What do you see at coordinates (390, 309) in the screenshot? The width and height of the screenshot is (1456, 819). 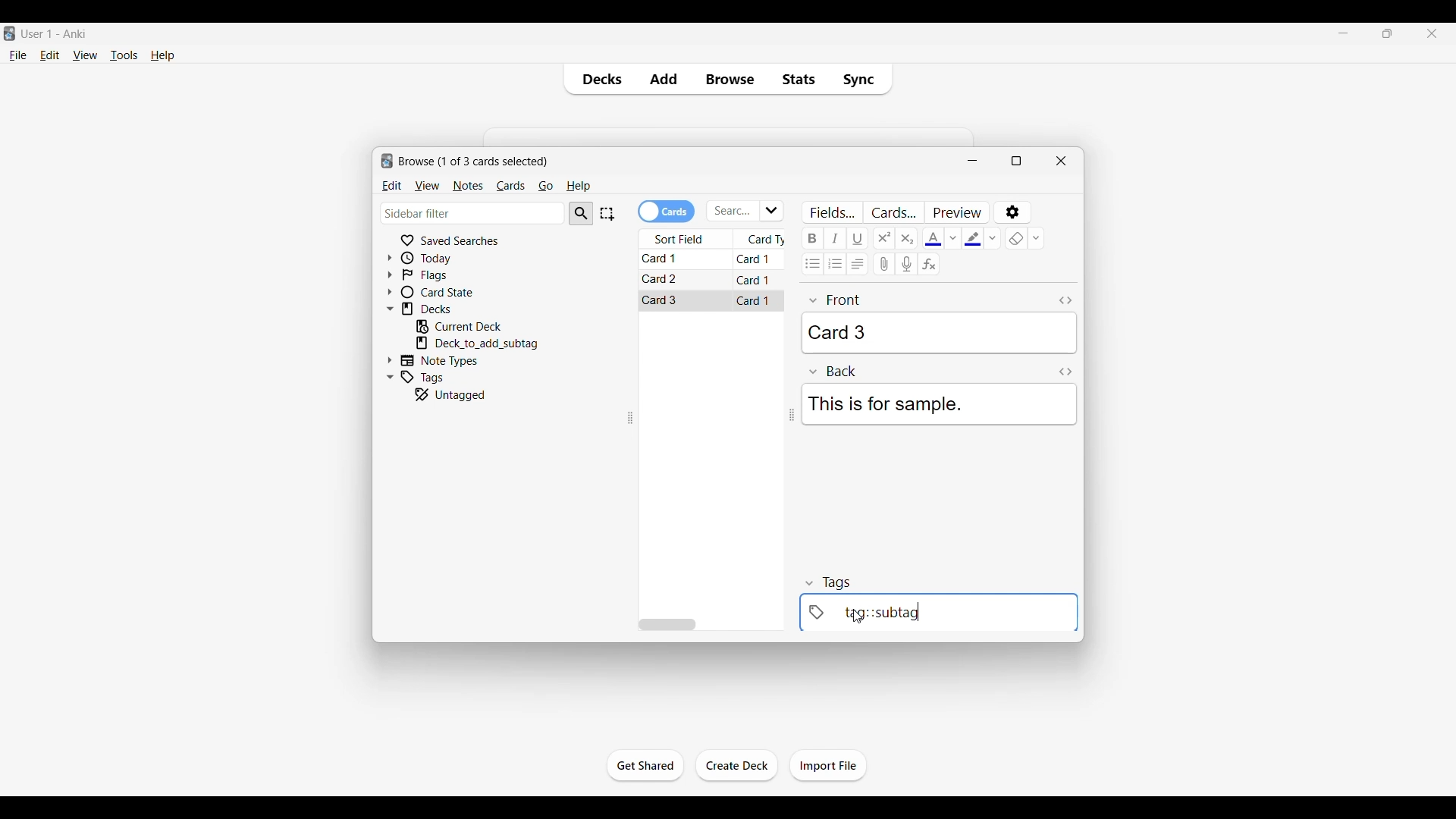 I see `Click to collapse Decks` at bounding box center [390, 309].